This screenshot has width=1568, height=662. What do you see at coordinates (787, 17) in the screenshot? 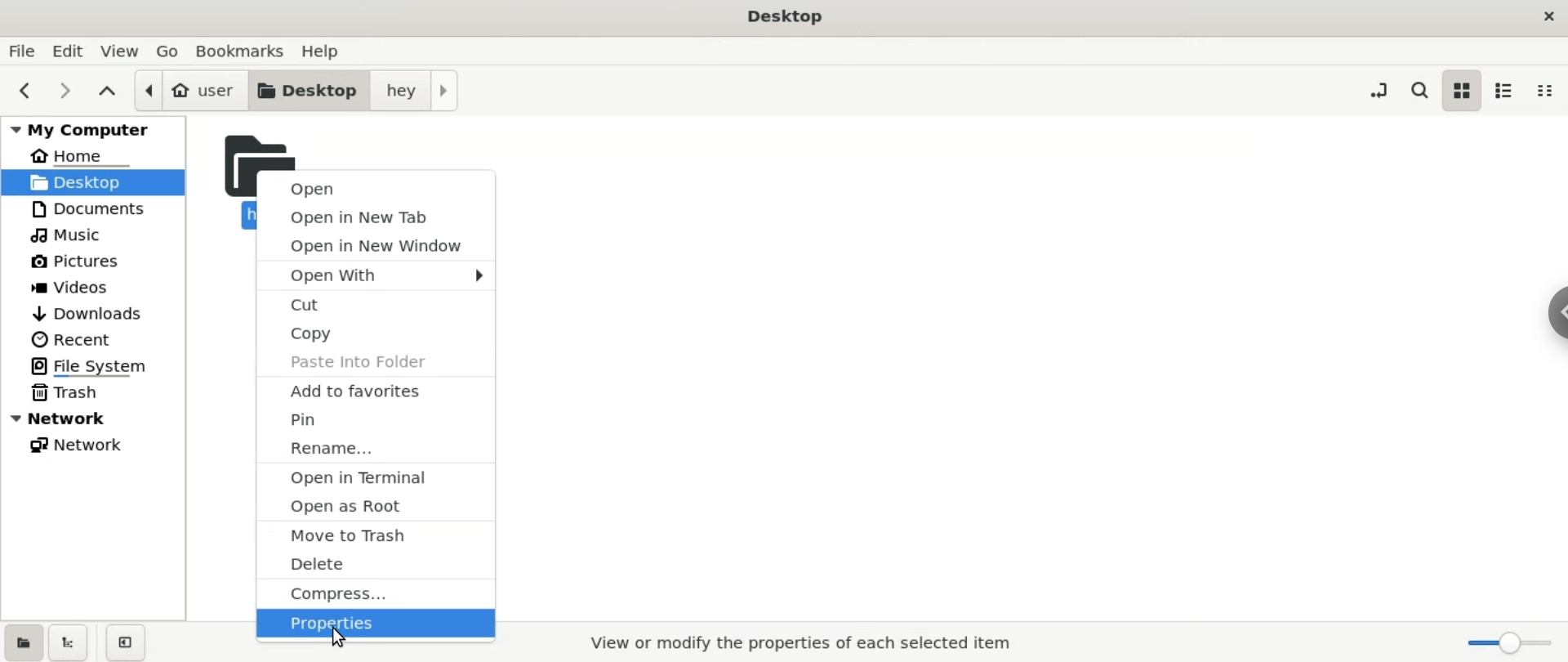
I see `title` at bounding box center [787, 17].